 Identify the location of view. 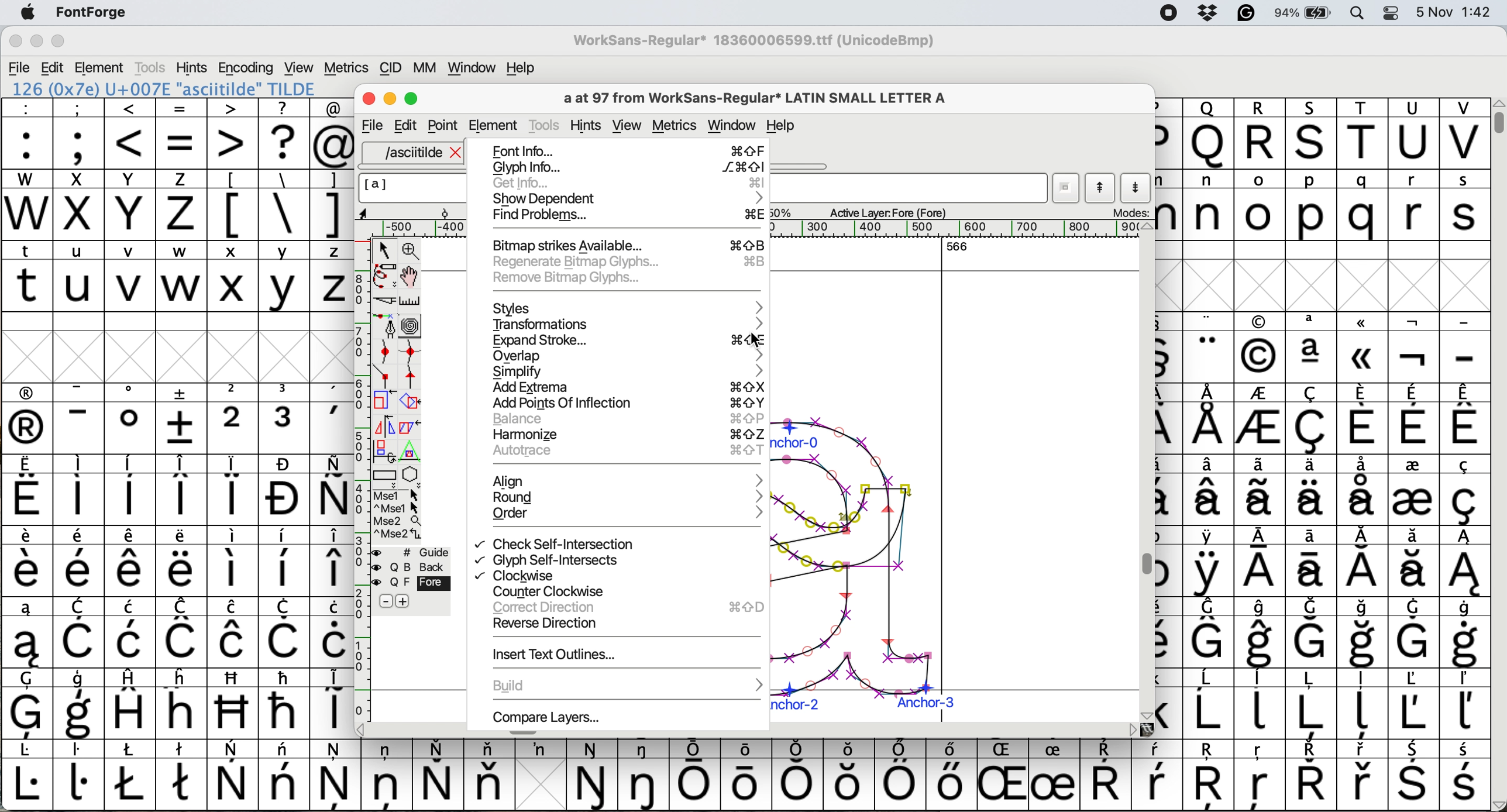
(626, 126).